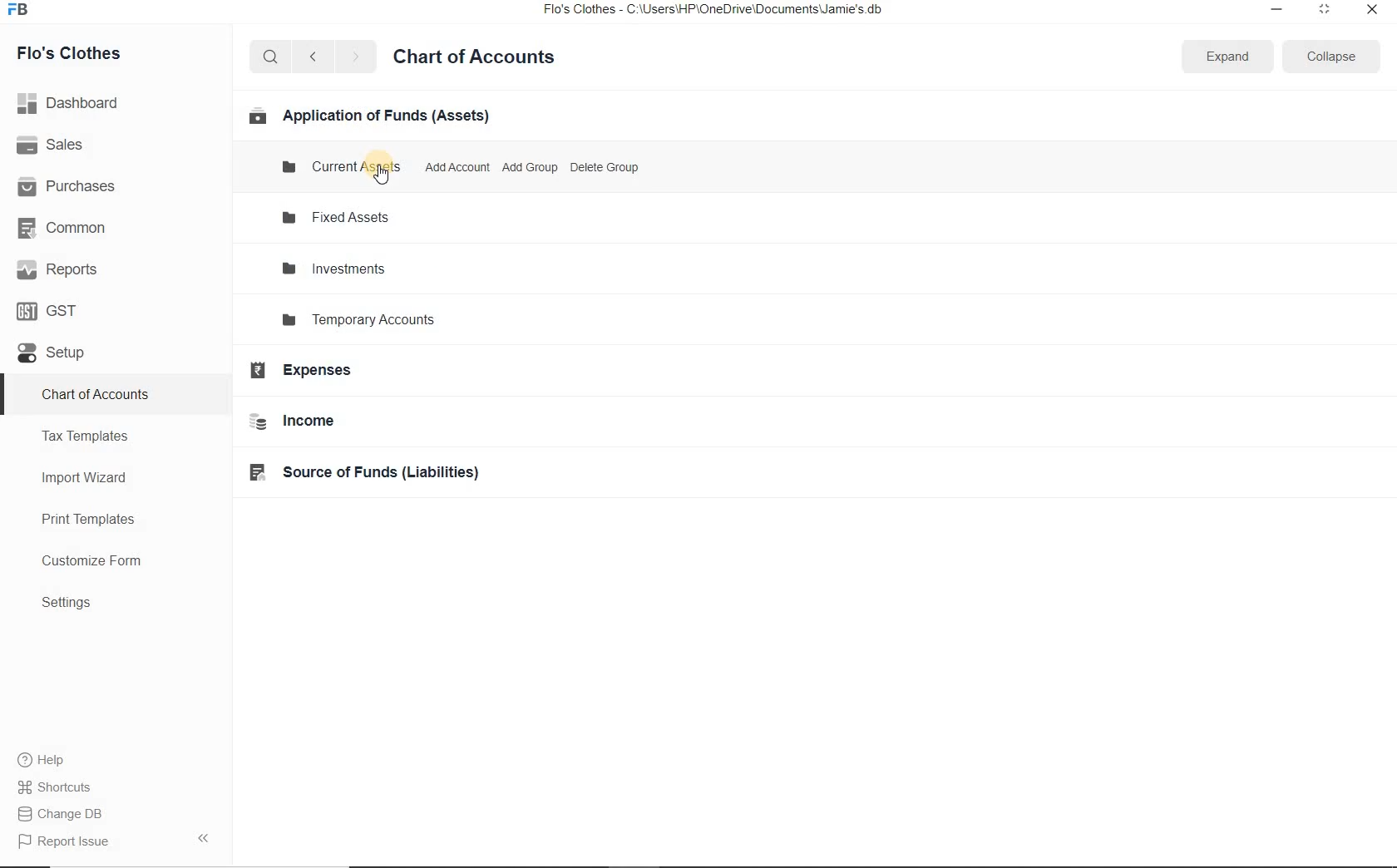 This screenshot has width=1397, height=868. I want to click on Frappe Books logo, so click(22, 12).